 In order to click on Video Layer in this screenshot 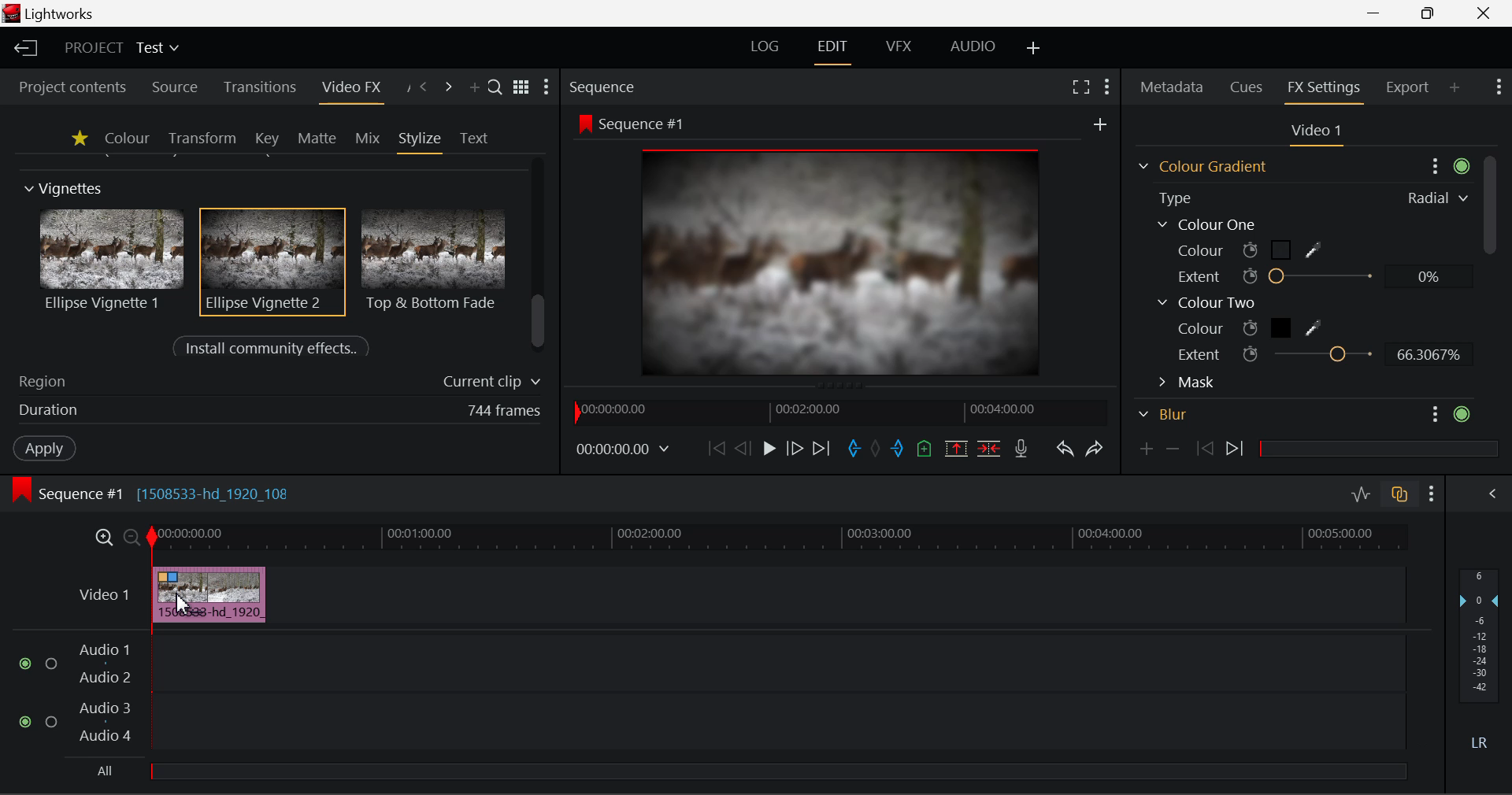, I will do `click(101, 593)`.